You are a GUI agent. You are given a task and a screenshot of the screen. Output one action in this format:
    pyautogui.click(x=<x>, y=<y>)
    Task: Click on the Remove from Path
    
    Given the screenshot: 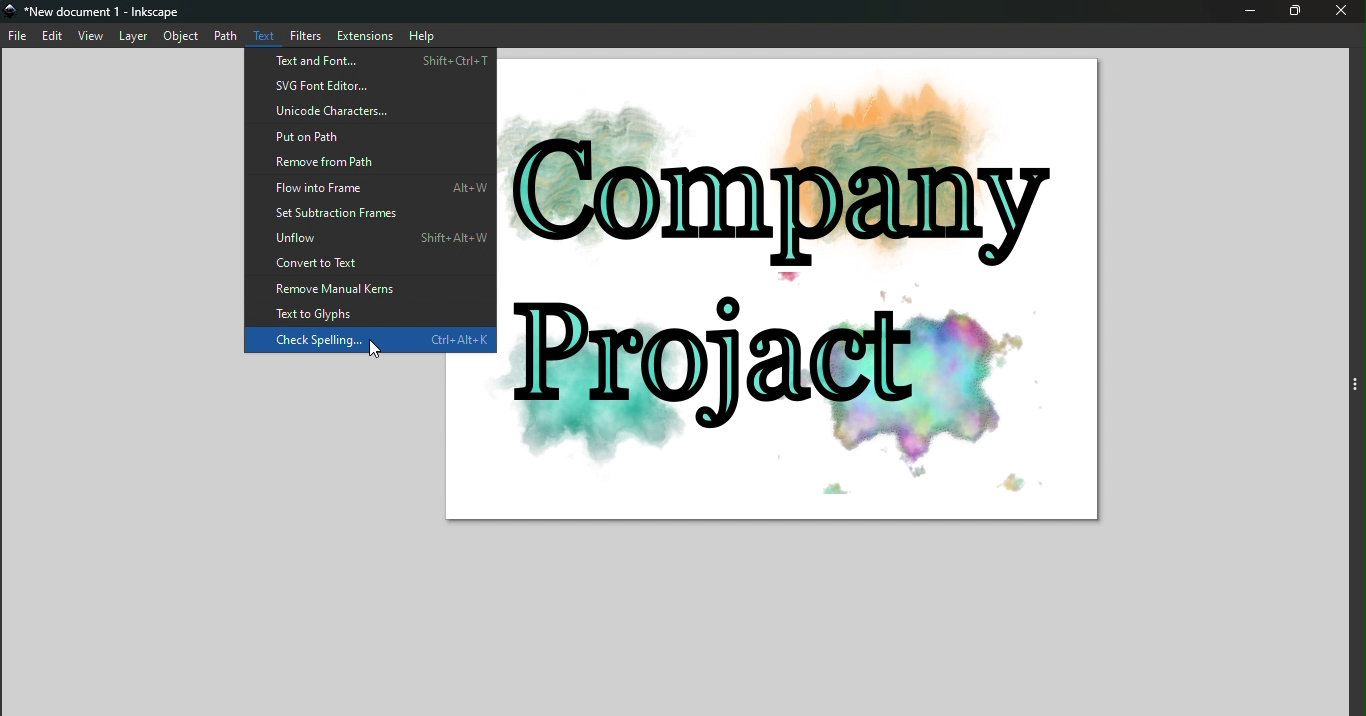 What is the action you would take?
    pyautogui.click(x=370, y=161)
    